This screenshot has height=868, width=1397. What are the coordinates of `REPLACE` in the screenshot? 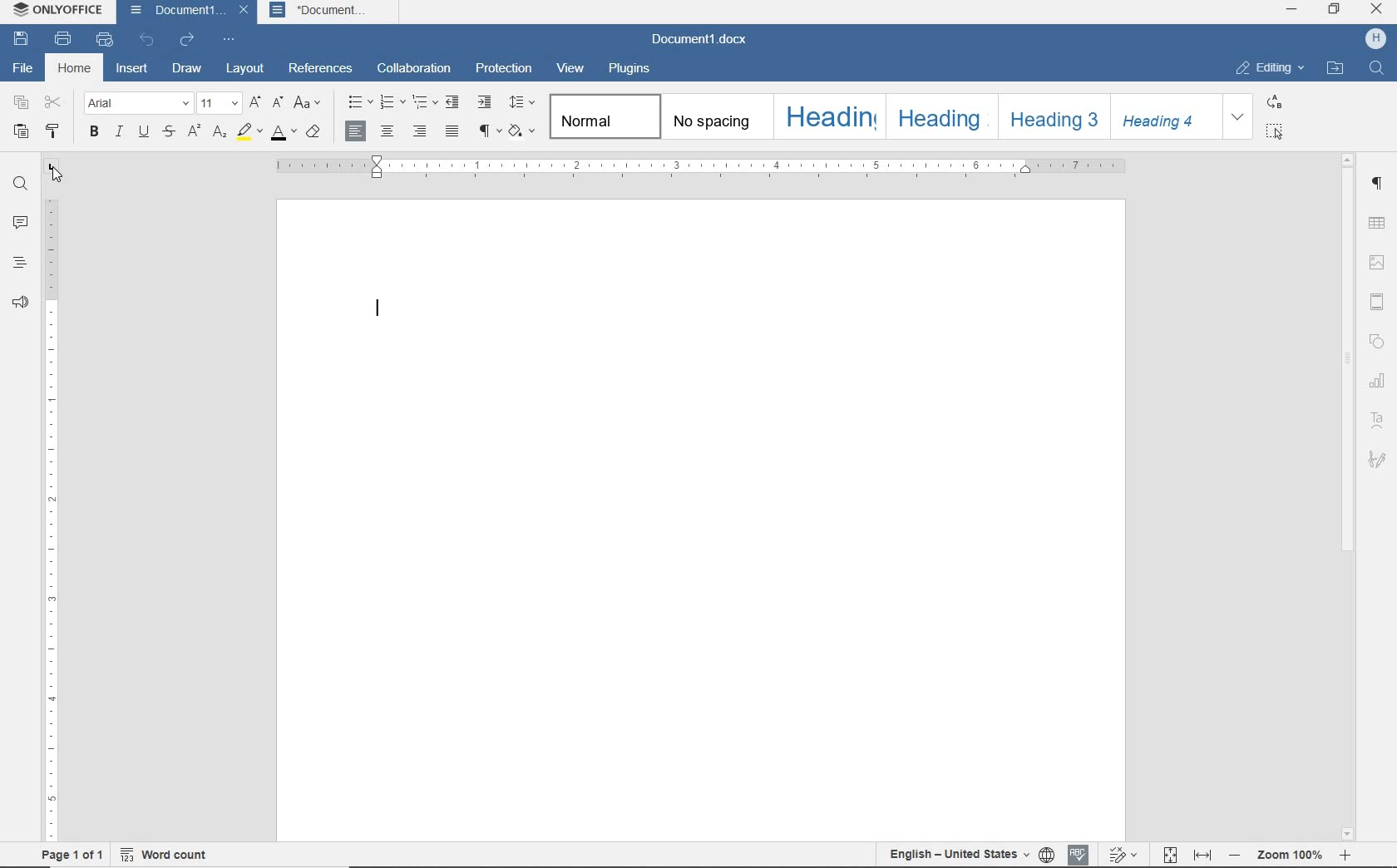 It's located at (1274, 102).